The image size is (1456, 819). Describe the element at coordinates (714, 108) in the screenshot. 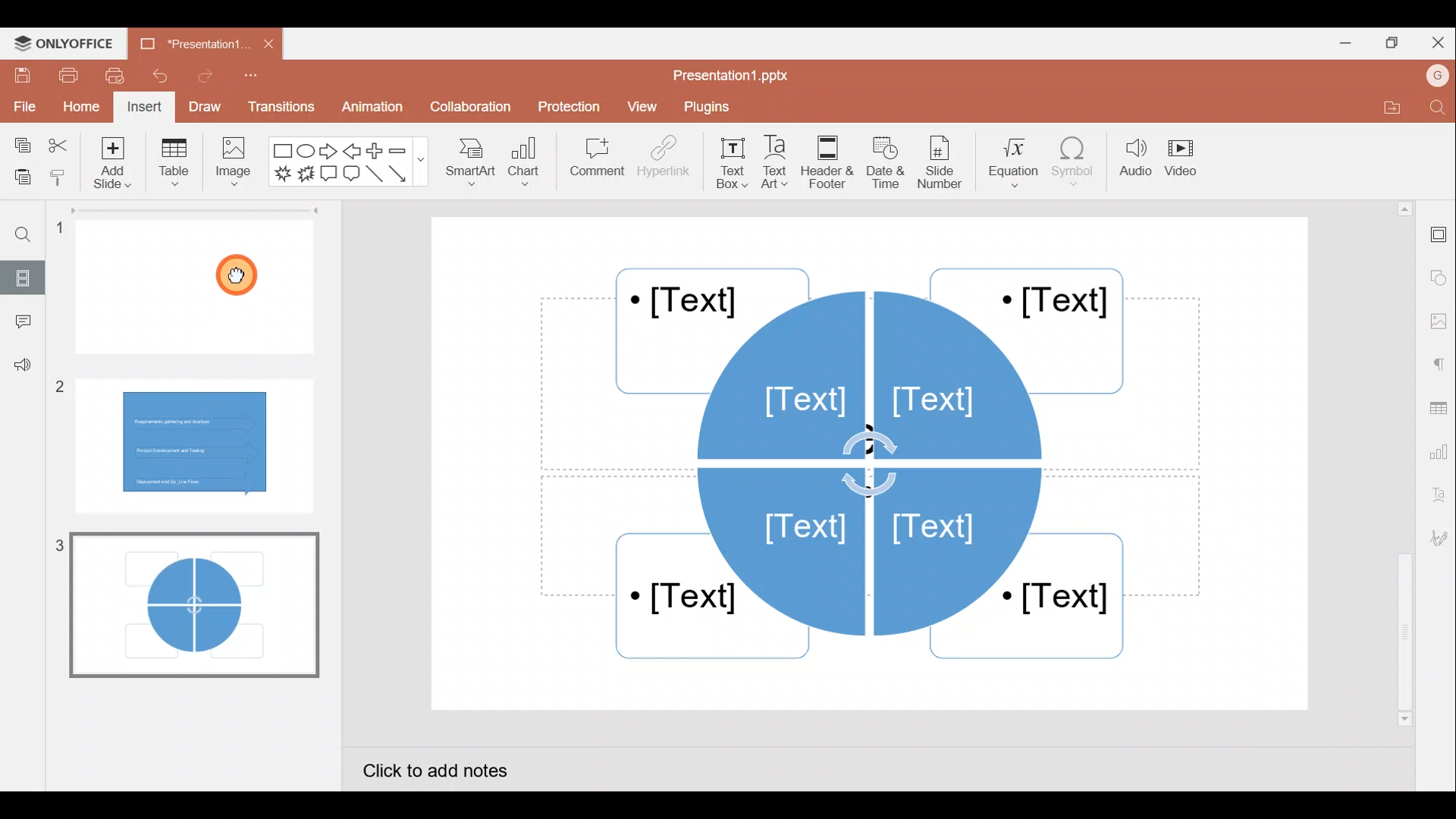

I see `Plugins` at that location.